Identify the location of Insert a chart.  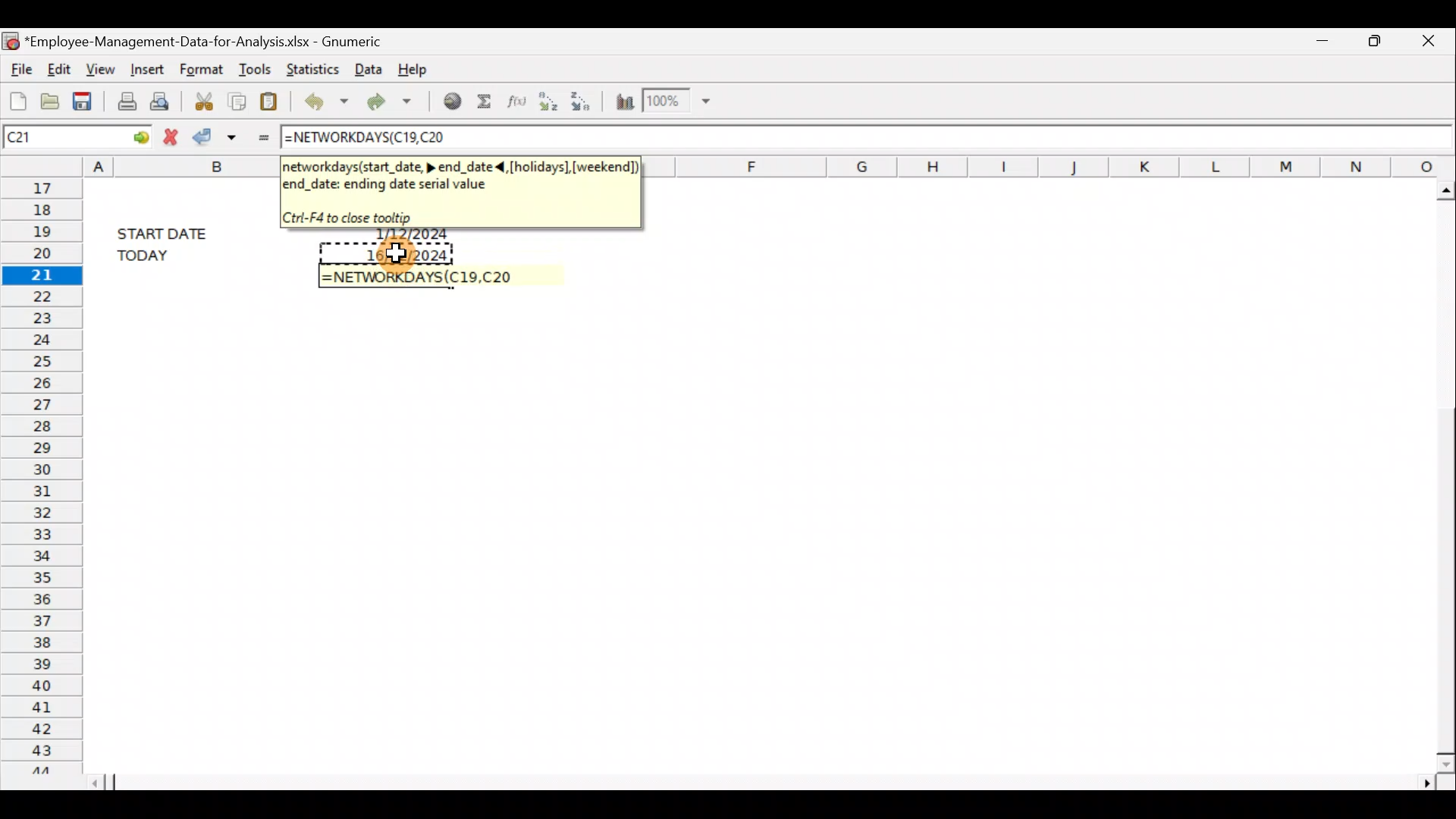
(623, 99).